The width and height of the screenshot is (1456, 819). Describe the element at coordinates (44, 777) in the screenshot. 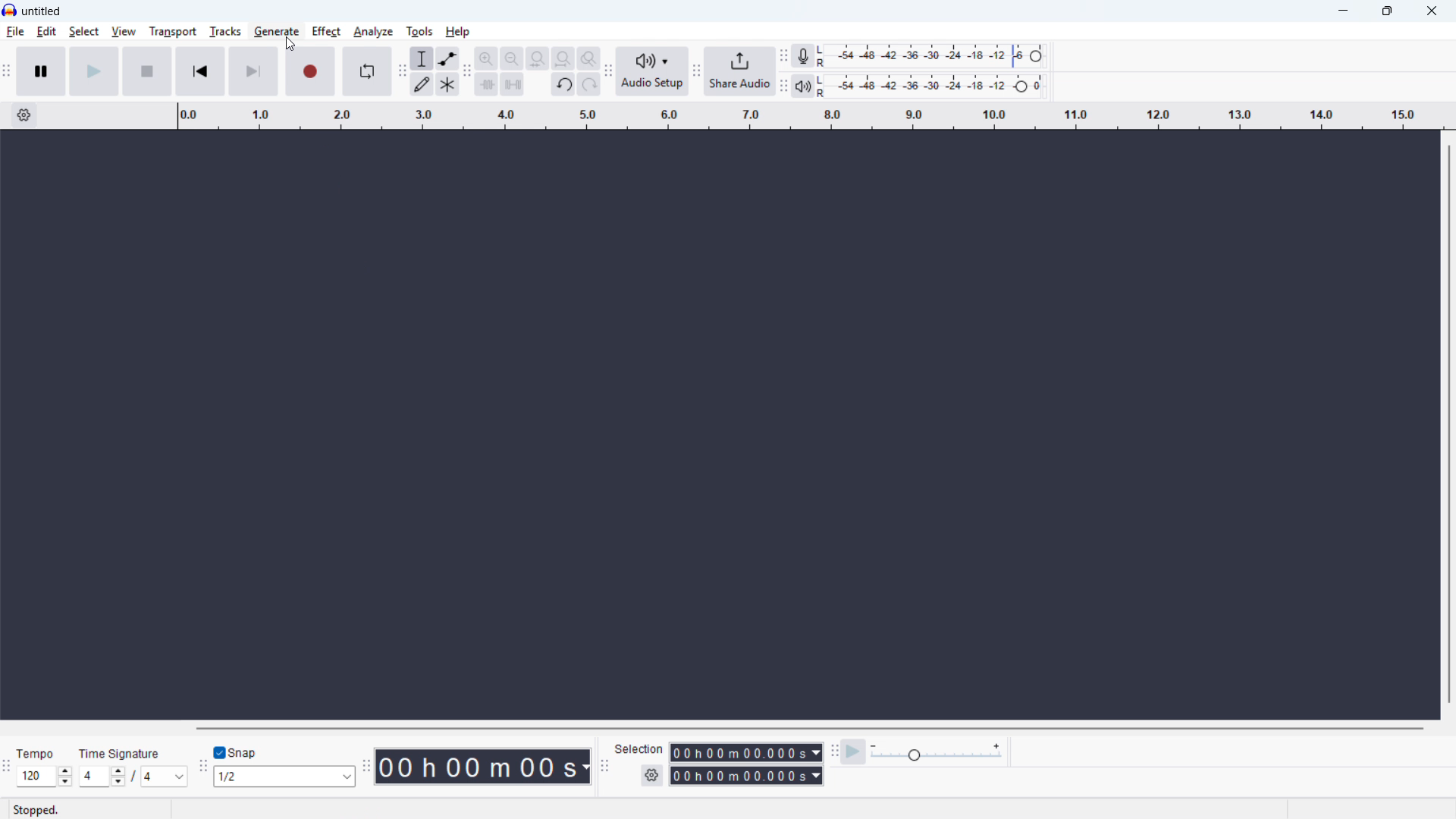

I see `Set tempo ` at that location.